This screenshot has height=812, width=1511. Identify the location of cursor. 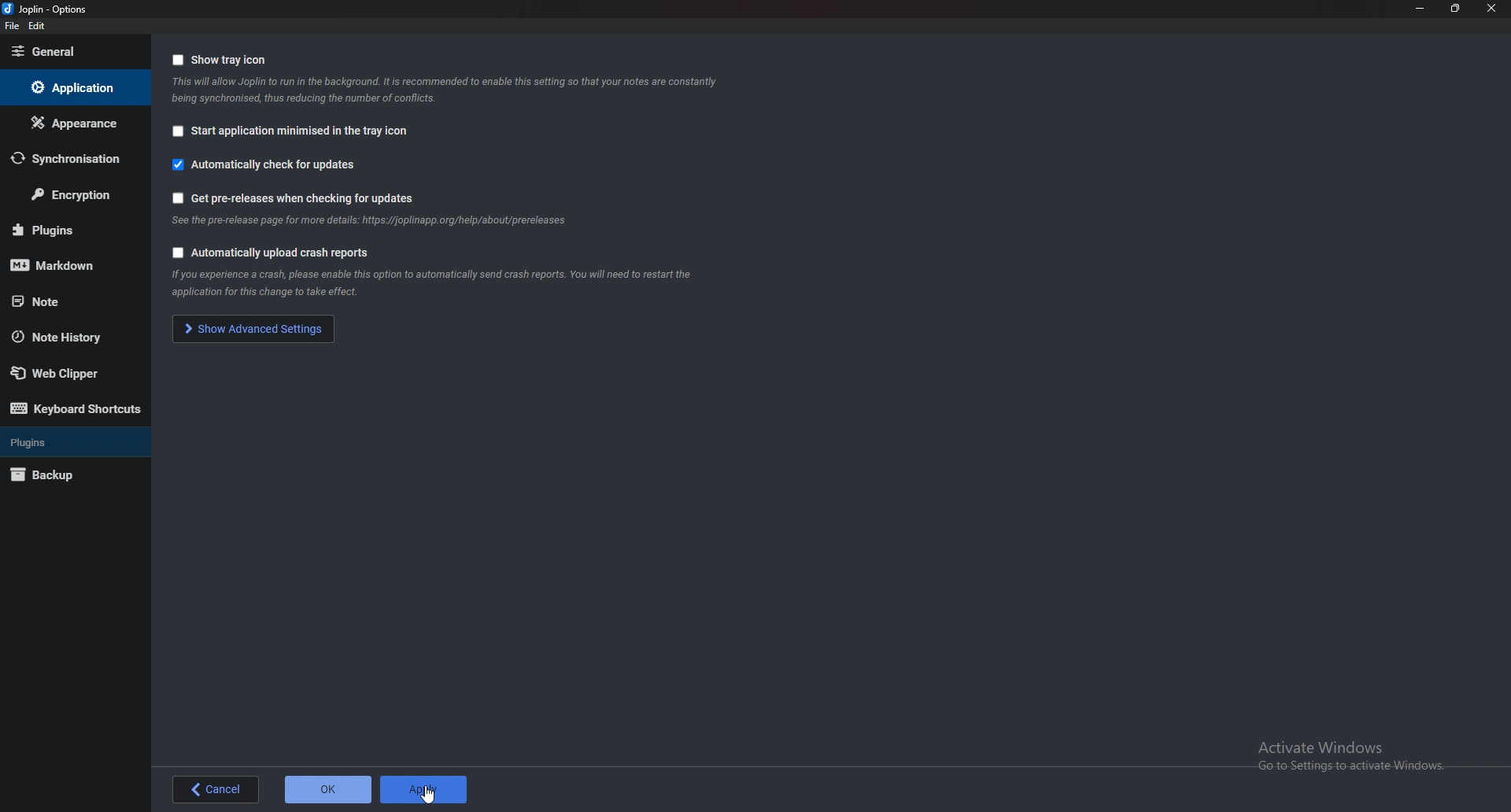
(427, 794).